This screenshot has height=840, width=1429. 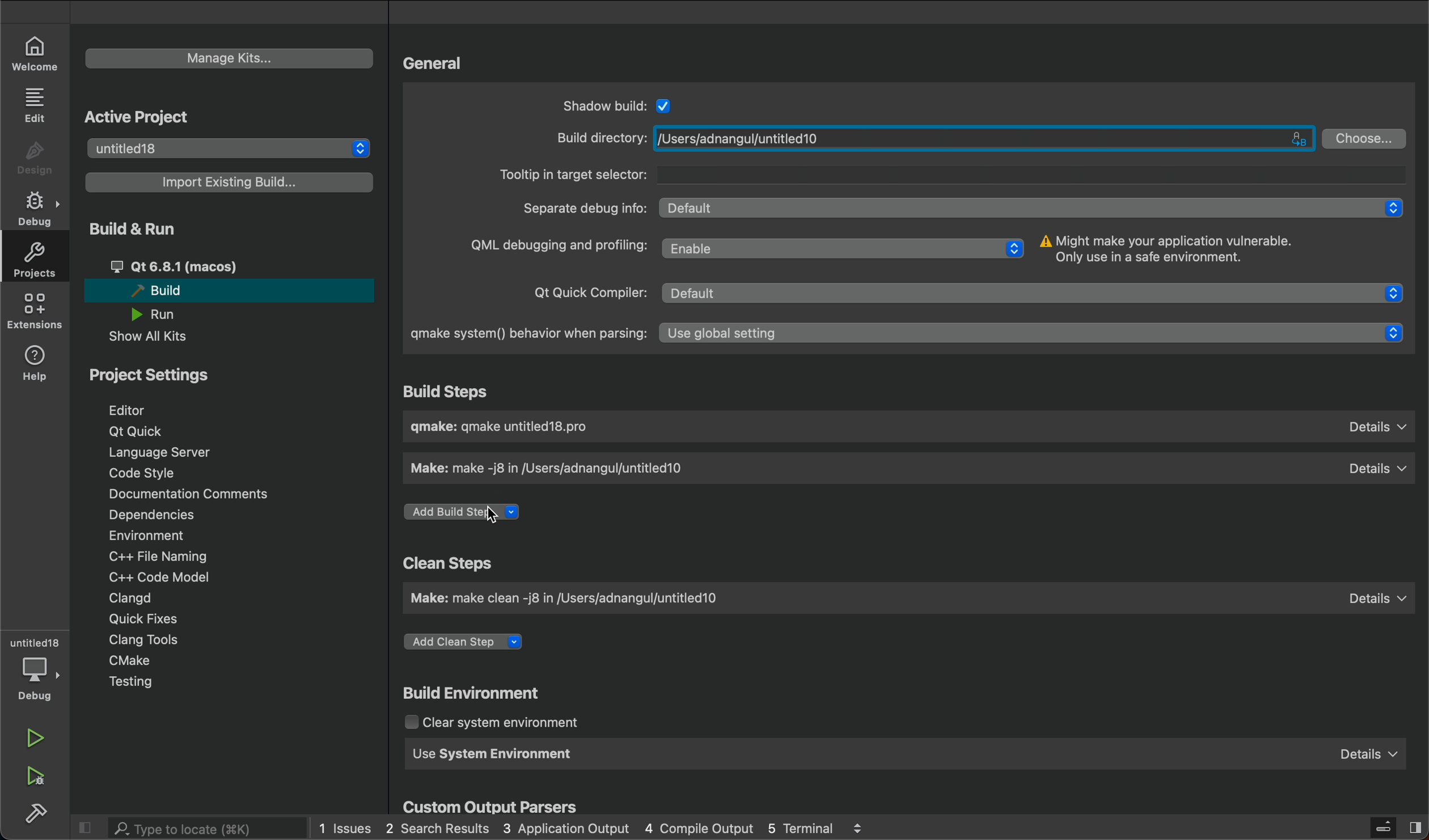 What do you see at coordinates (36, 158) in the screenshot?
I see `design` at bounding box center [36, 158].